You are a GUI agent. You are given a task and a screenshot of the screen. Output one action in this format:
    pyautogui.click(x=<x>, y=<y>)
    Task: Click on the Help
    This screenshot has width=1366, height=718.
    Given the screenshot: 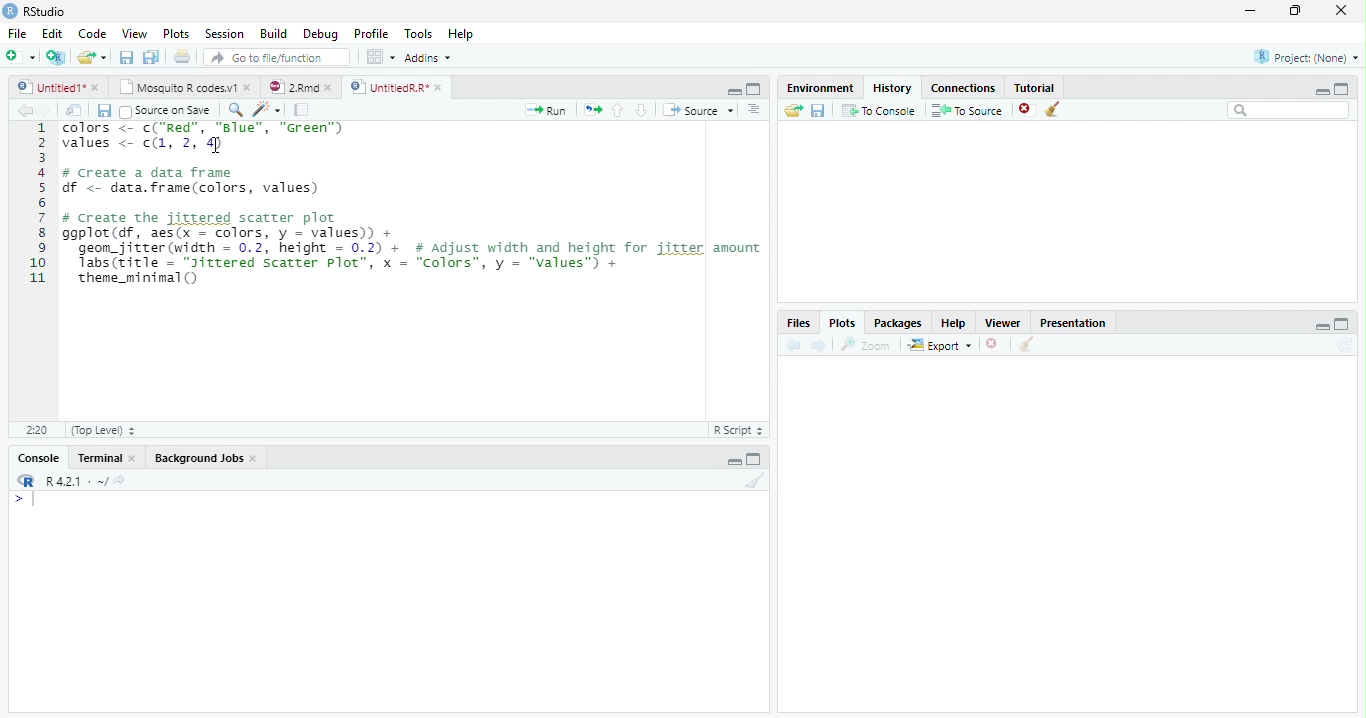 What is the action you would take?
    pyautogui.click(x=954, y=323)
    